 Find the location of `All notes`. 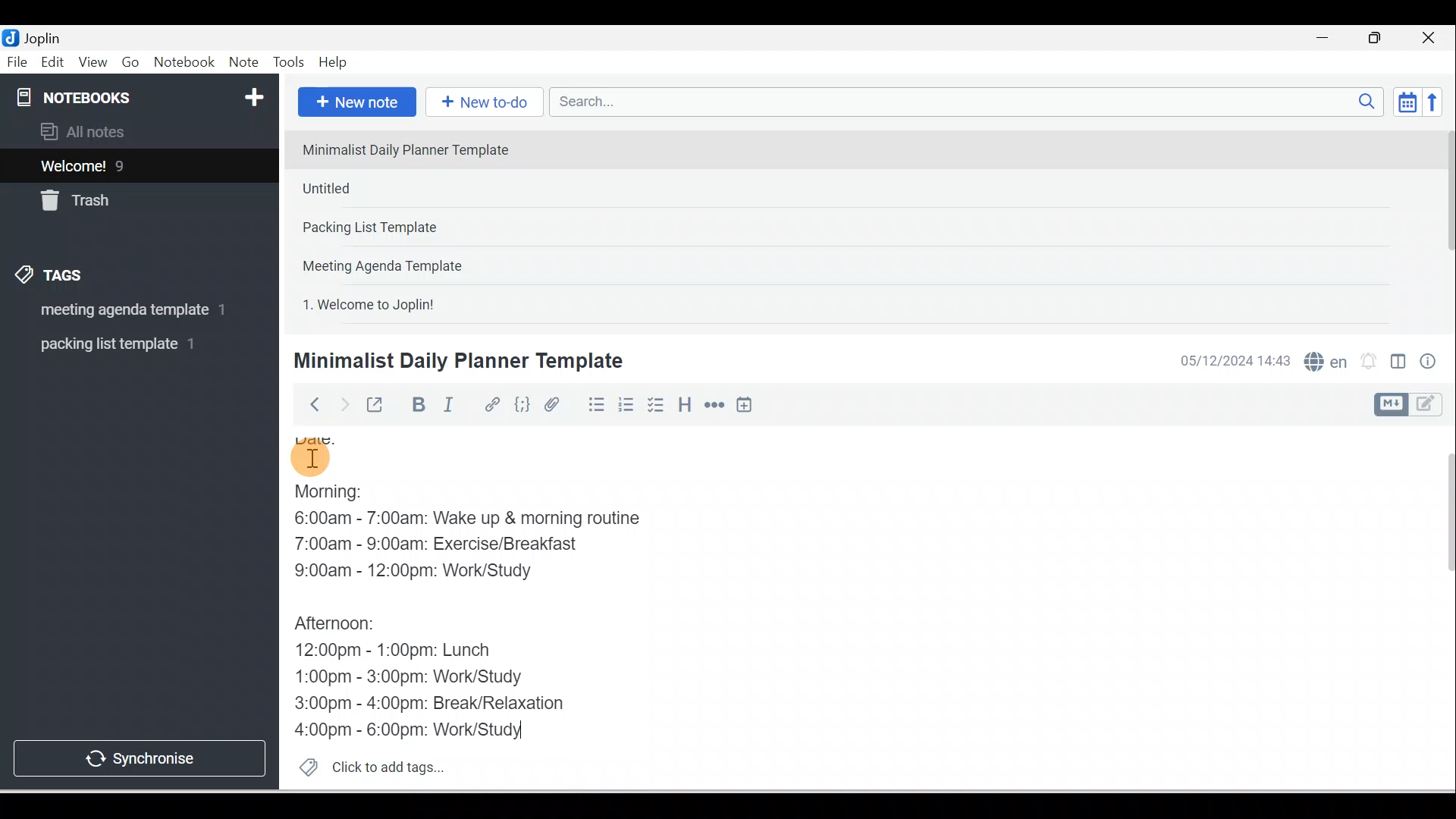

All notes is located at coordinates (137, 131).